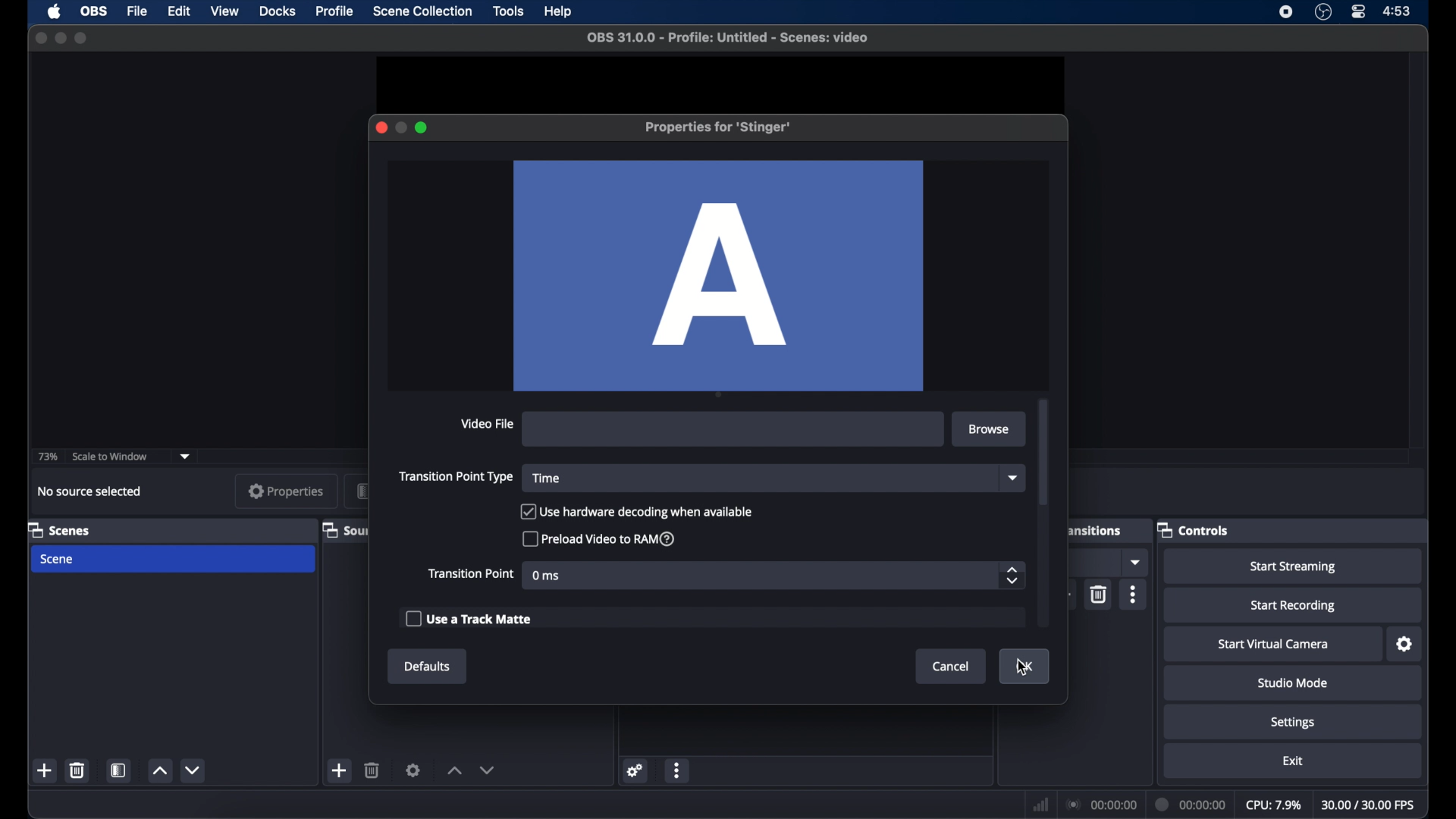 The height and width of the screenshot is (819, 1456). Describe the element at coordinates (422, 127) in the screenshot. I see `maximize` at that location.